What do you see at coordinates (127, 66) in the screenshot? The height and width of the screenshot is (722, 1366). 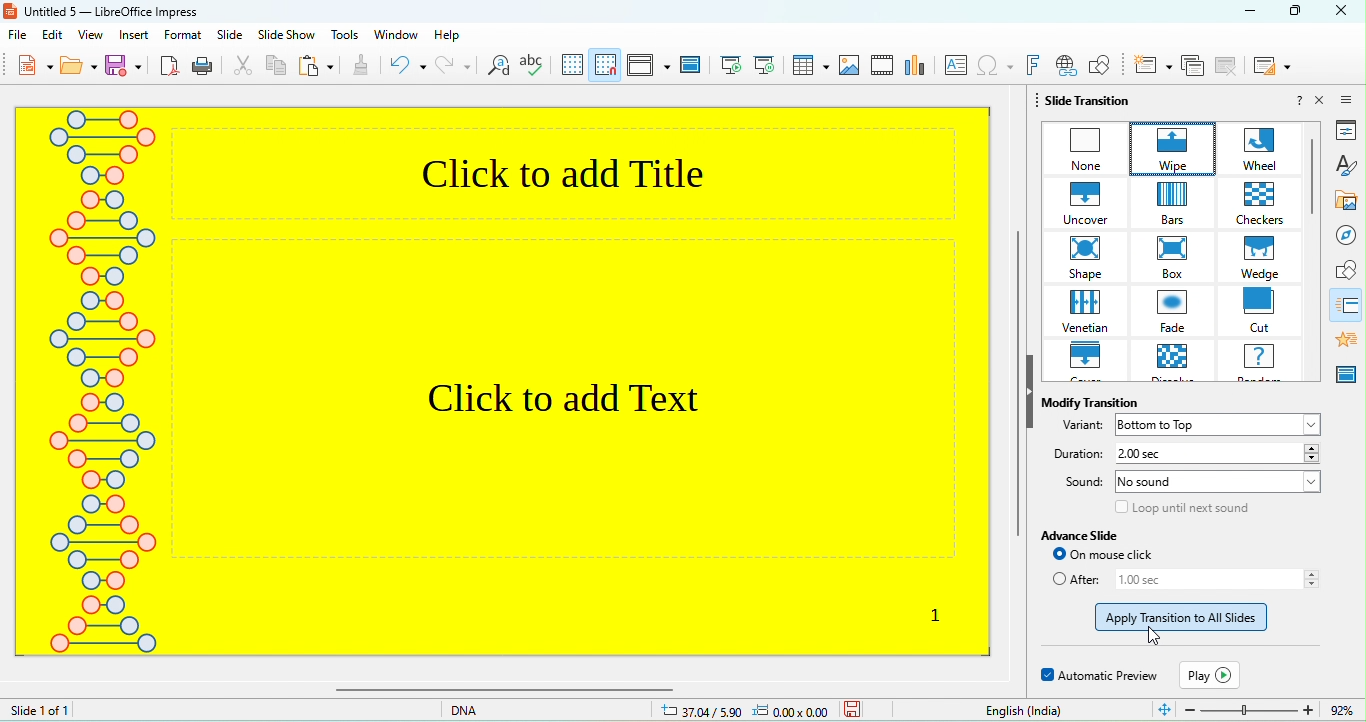 I see `save` at bounding box center [127, 66].